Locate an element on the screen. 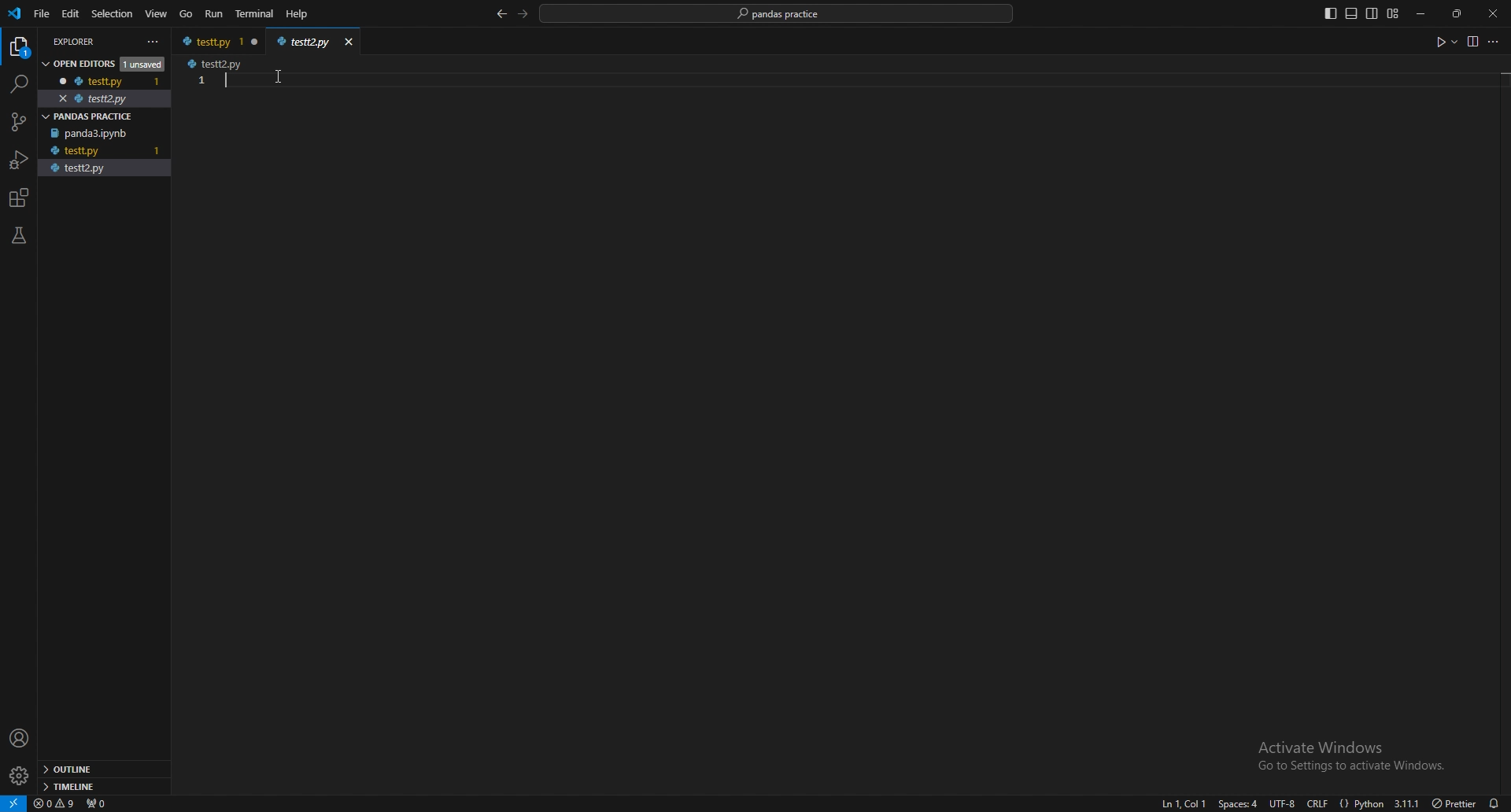 Image resolution: width=1511 pixels, height=812 pixels. open editors is located at coordinates (99, 62).